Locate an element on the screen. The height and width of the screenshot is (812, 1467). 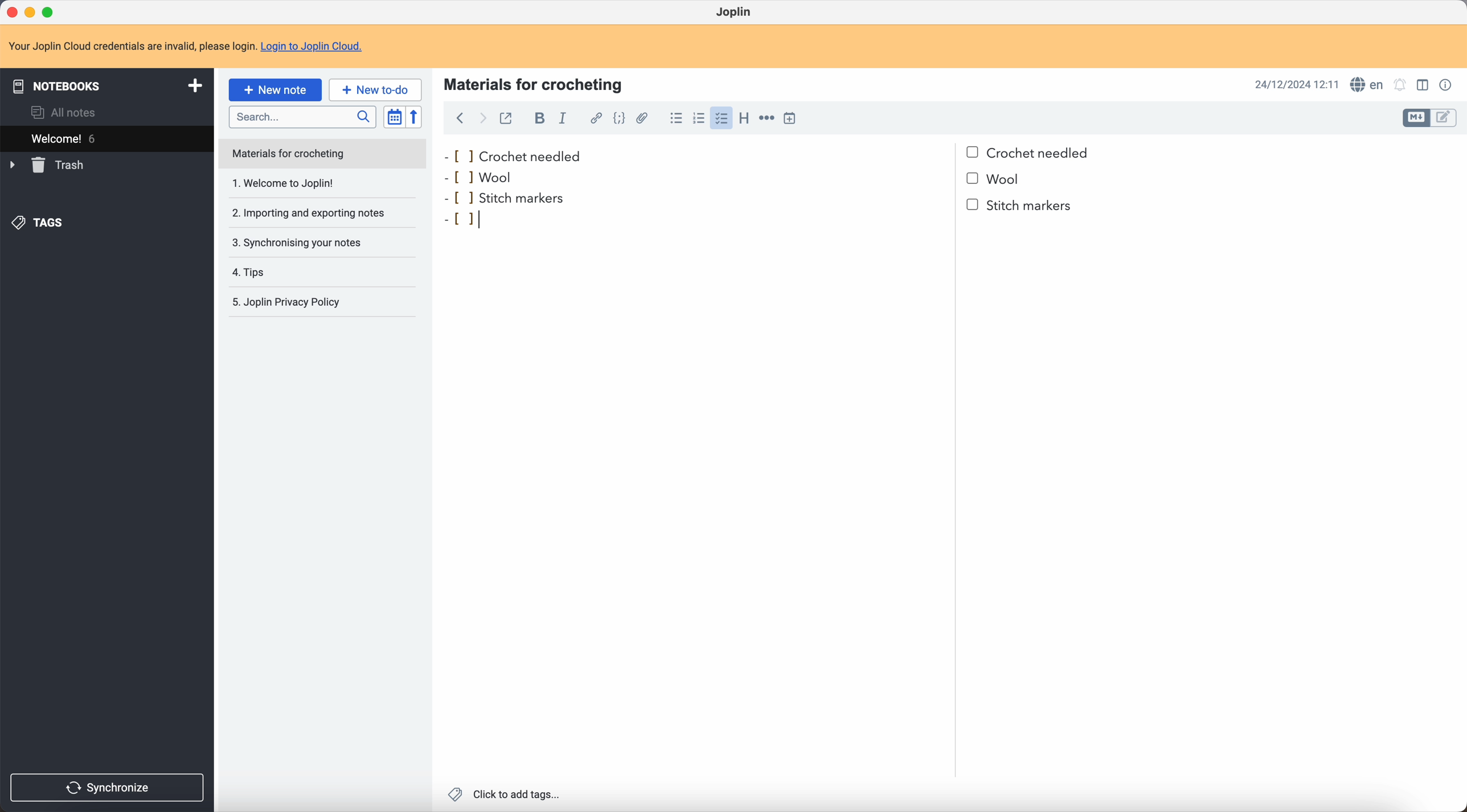
minimize is located at coordinates (32, 13).